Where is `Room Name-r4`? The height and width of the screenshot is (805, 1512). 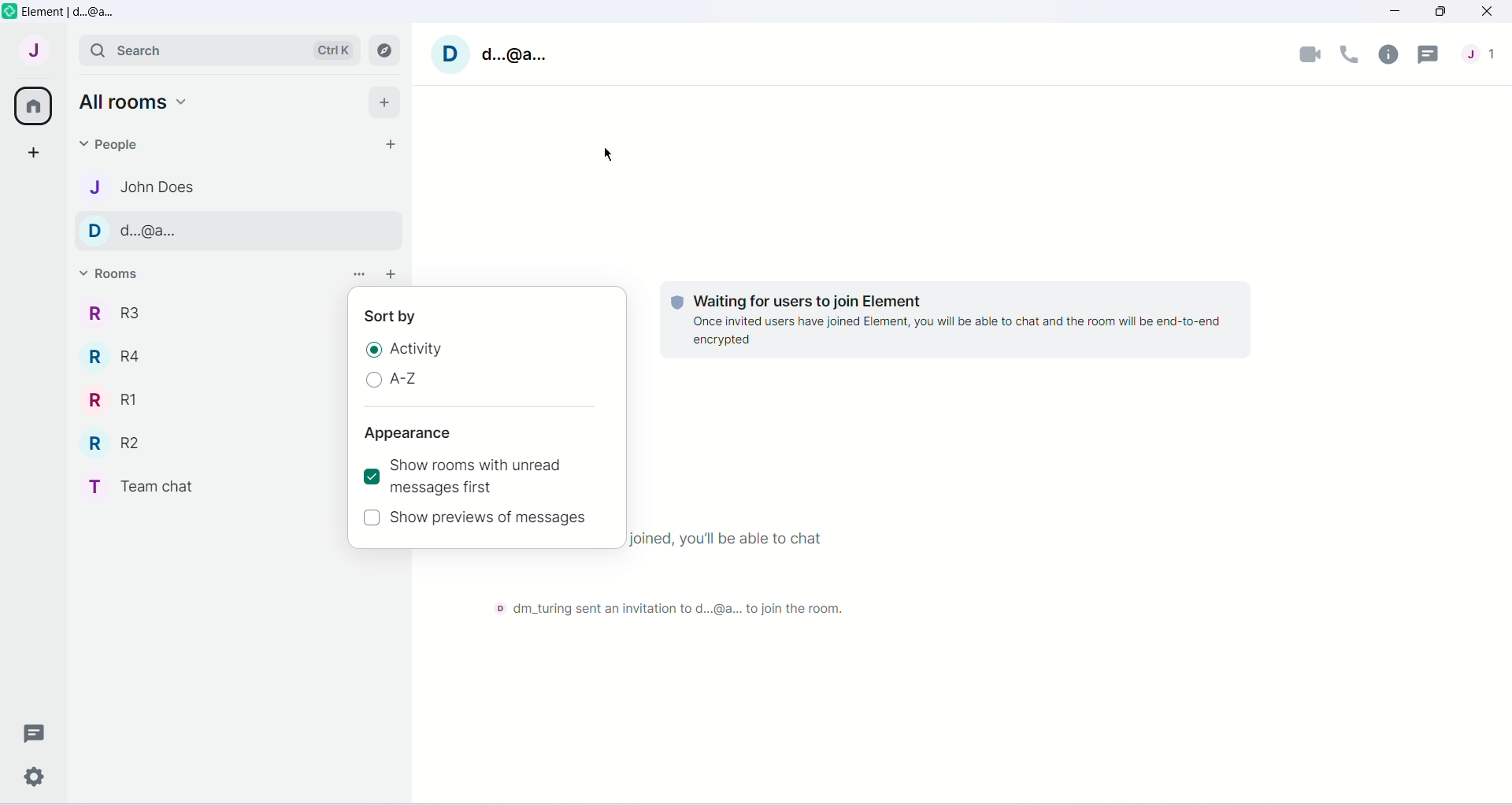 Room Name-r4 is located at coordinates (117, 356).